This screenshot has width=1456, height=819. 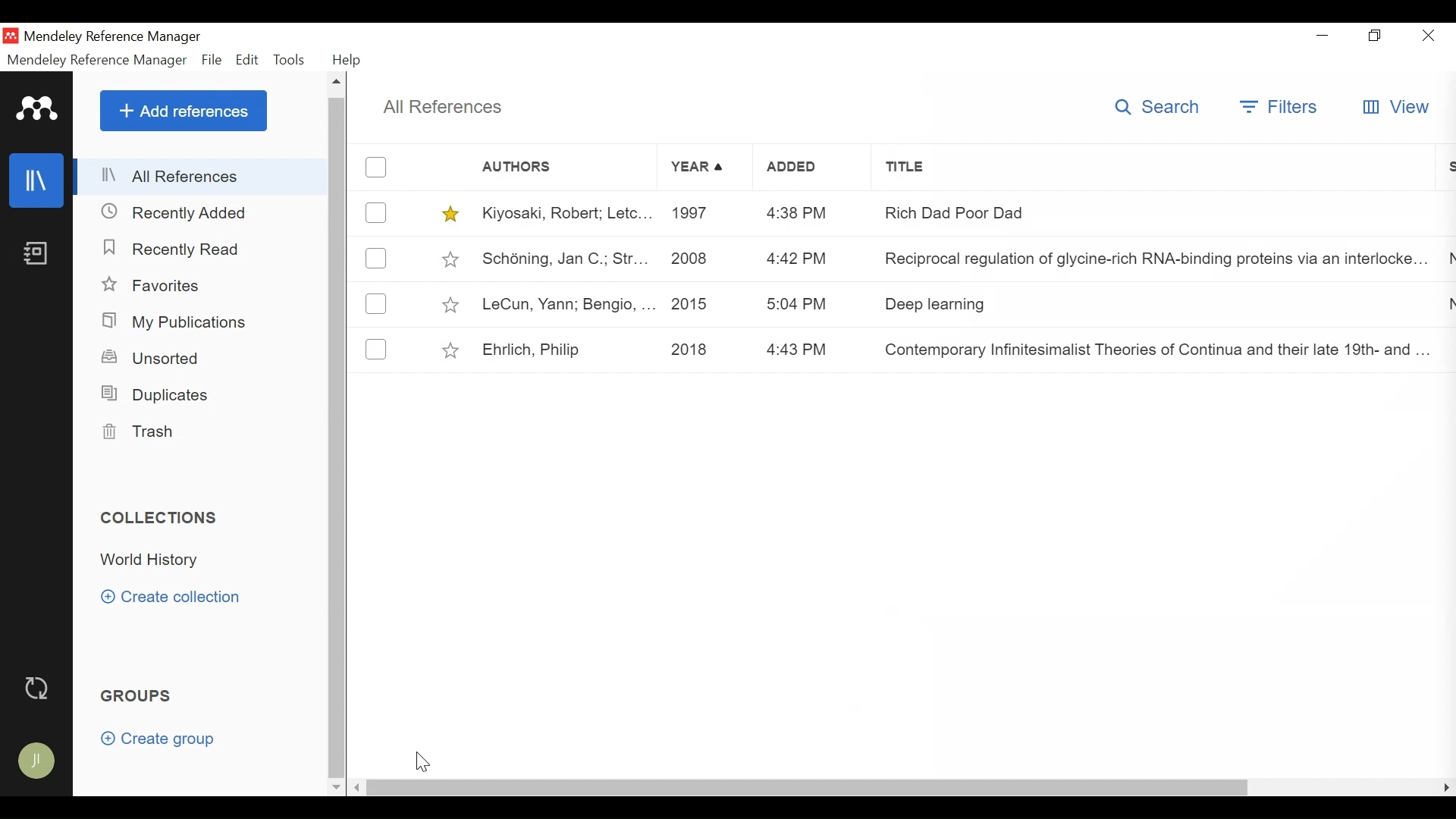 What do you see at coordinates (702, 348) in the screenshot?
I see `2018` at bounding box center [702, 348].